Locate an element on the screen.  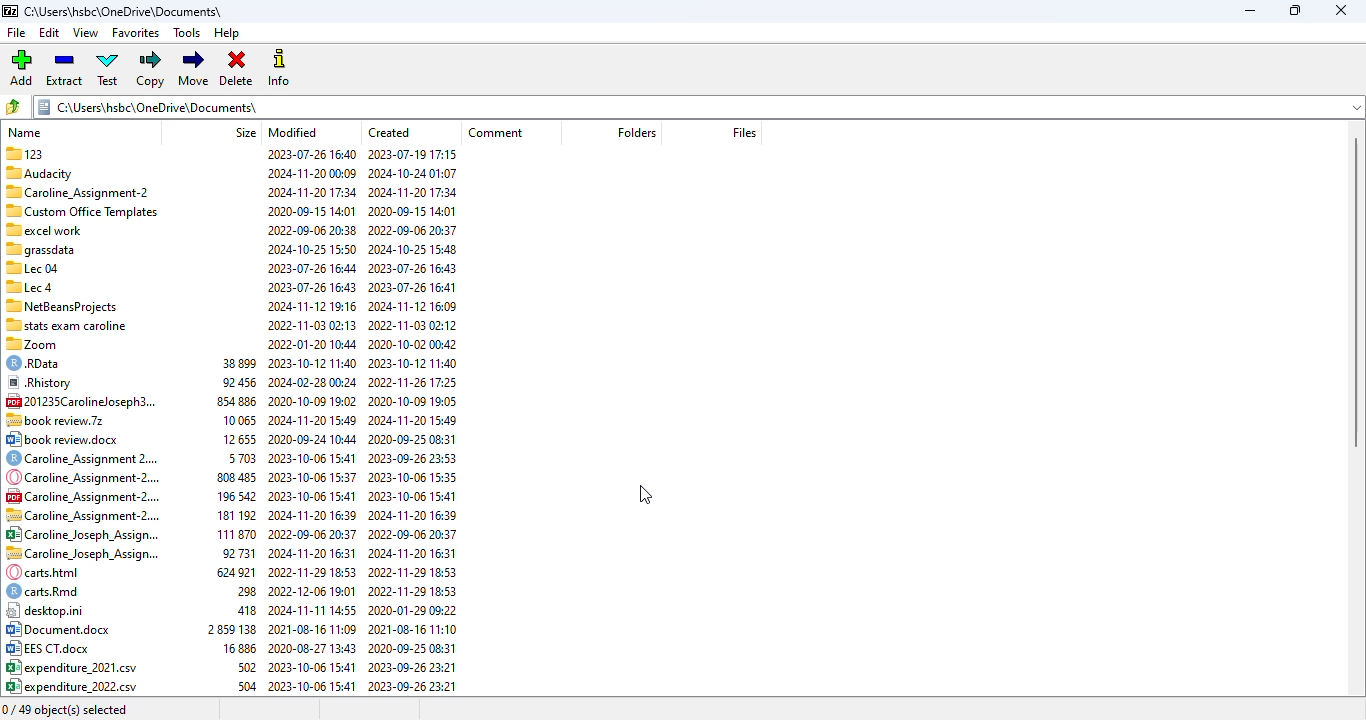
size is located at coordinates (245, 131).